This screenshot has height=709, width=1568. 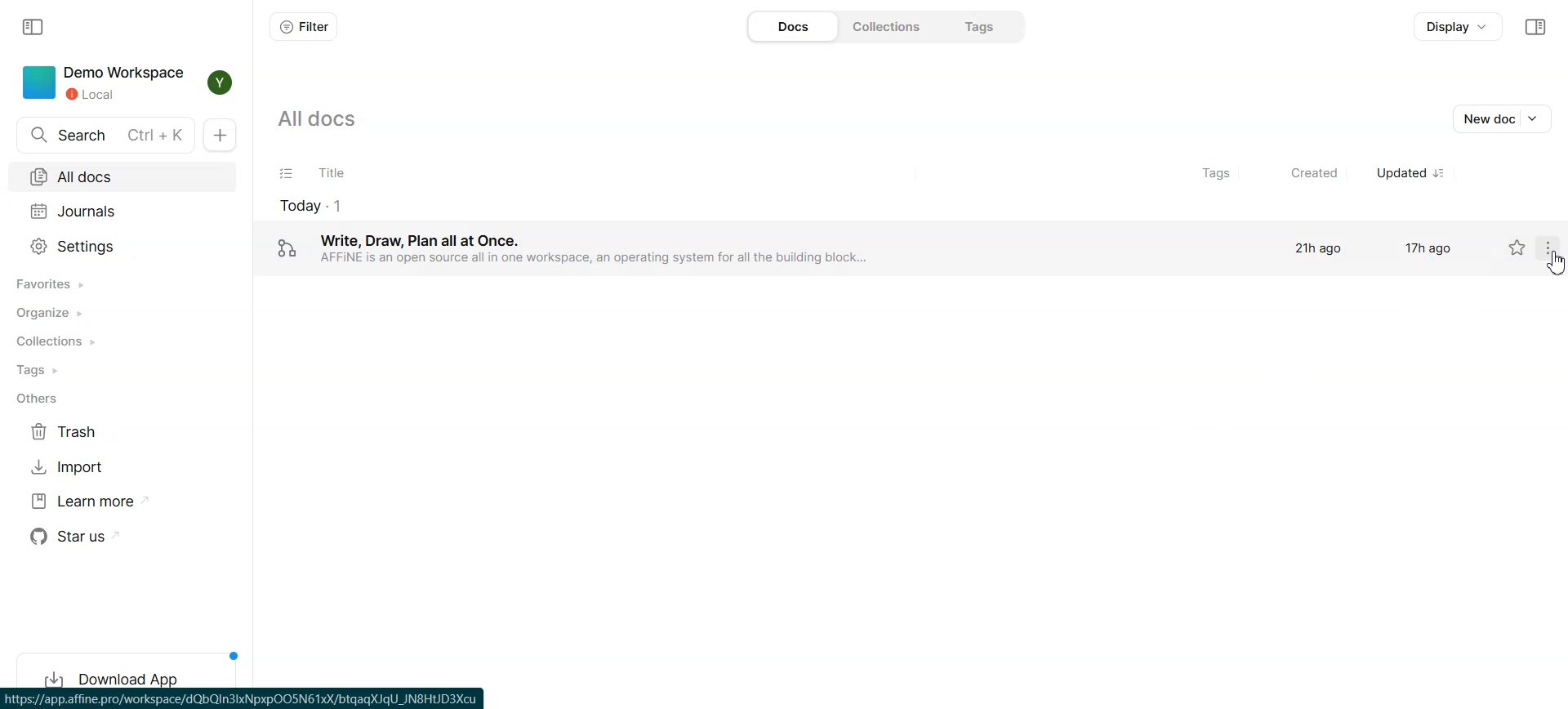 What do you see at coordinates (220, 135) in the screenshot?
I see `New docs` at bounding box center [220, 135].